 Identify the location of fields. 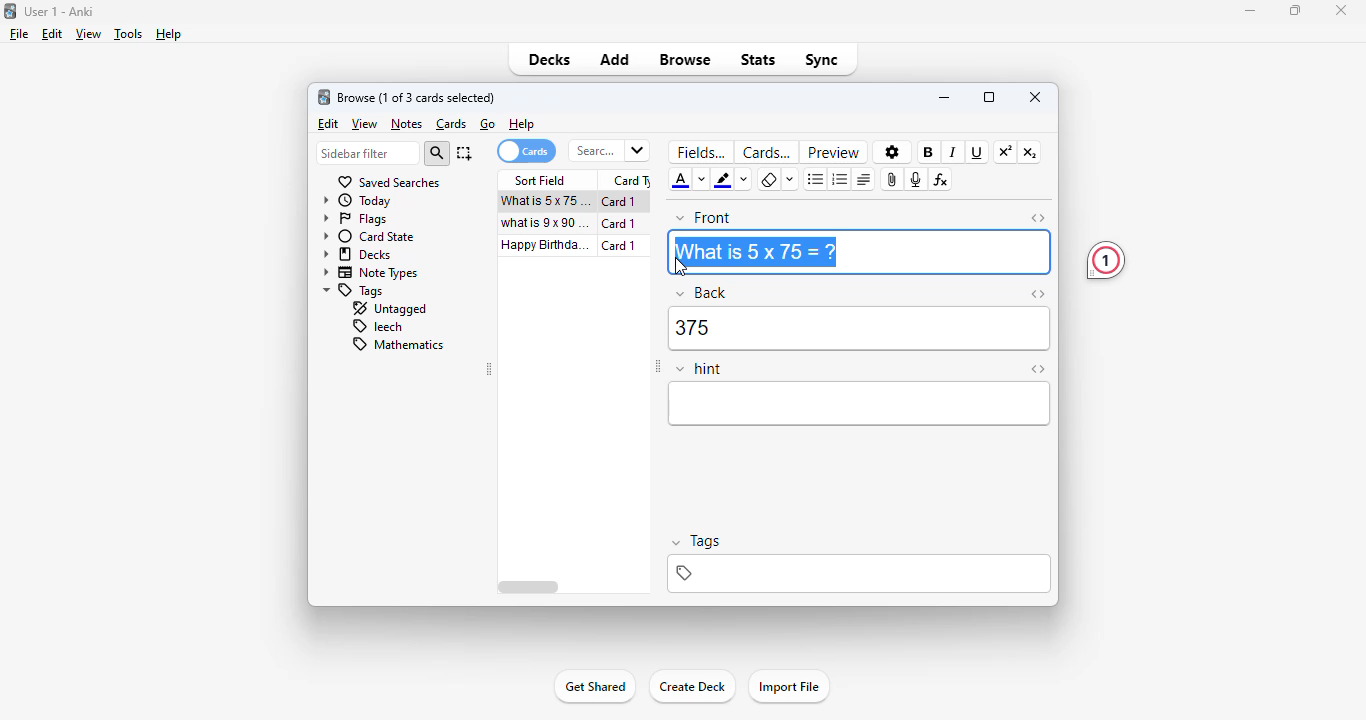
(701, 152).